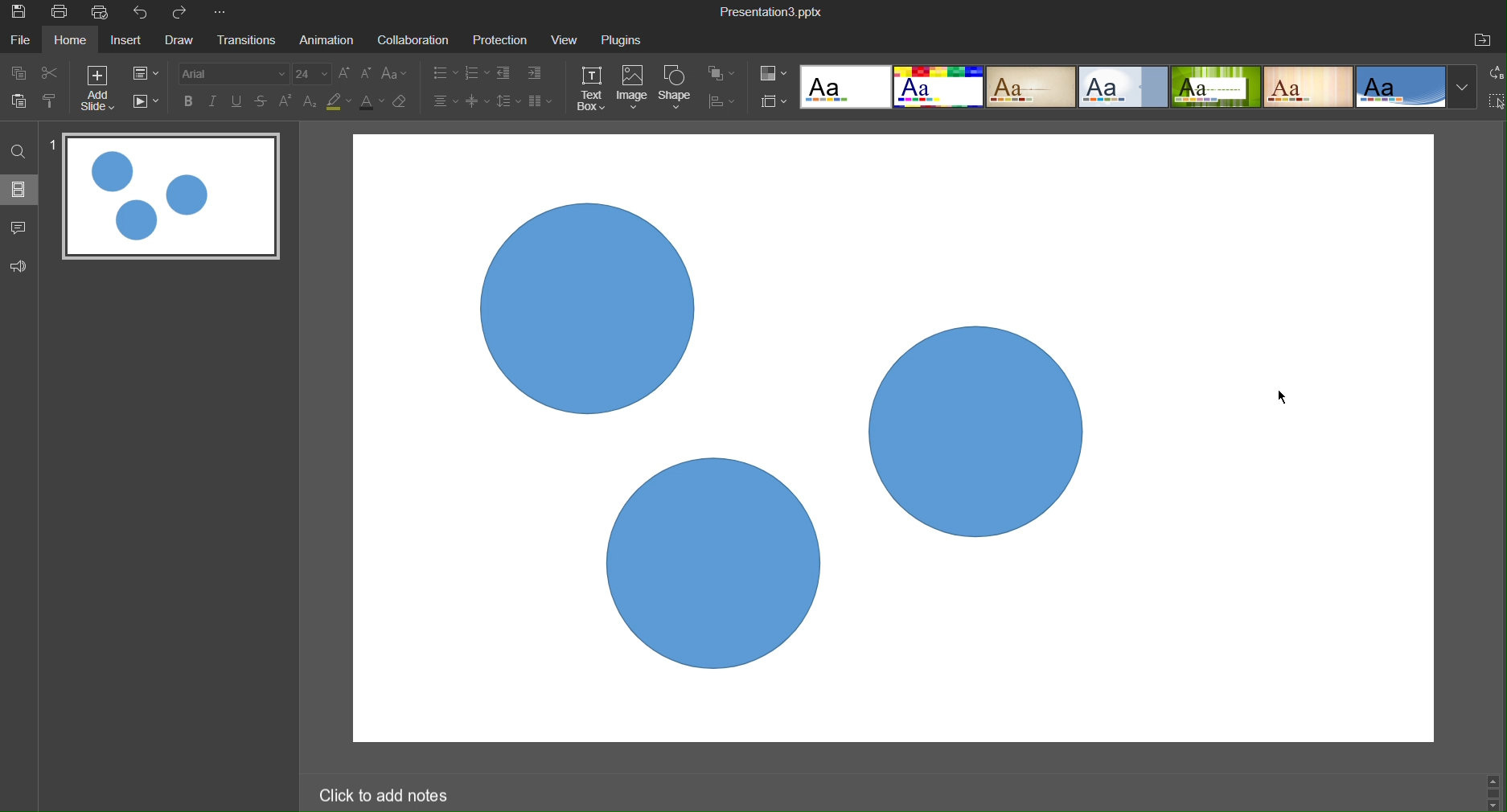 This screenshot has height=812, width=1507. Describe the element at coordinates (678, 89) in the screenshot. I see `Shape` at that location.